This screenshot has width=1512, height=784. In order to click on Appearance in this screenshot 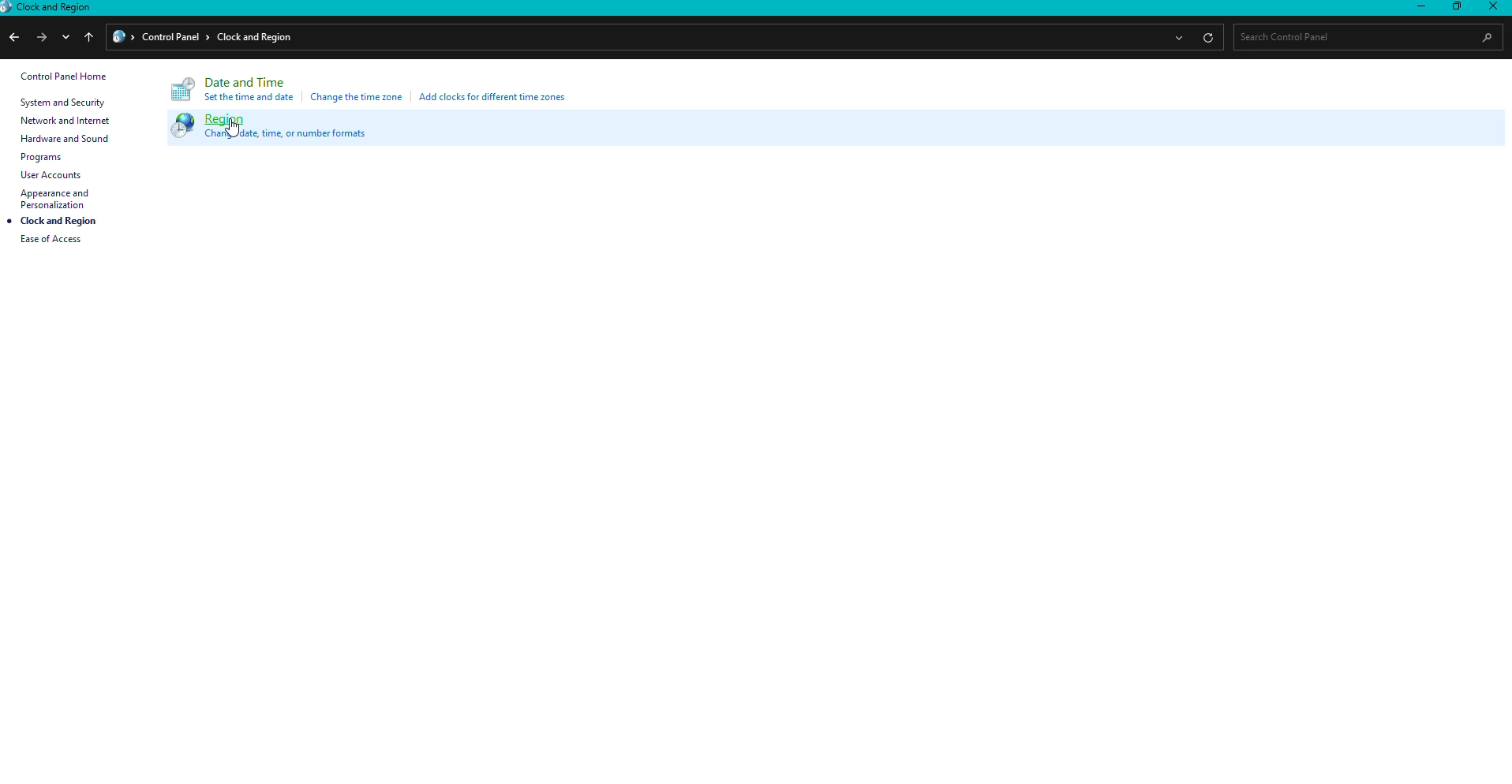, I will do `click(60, 199)`.